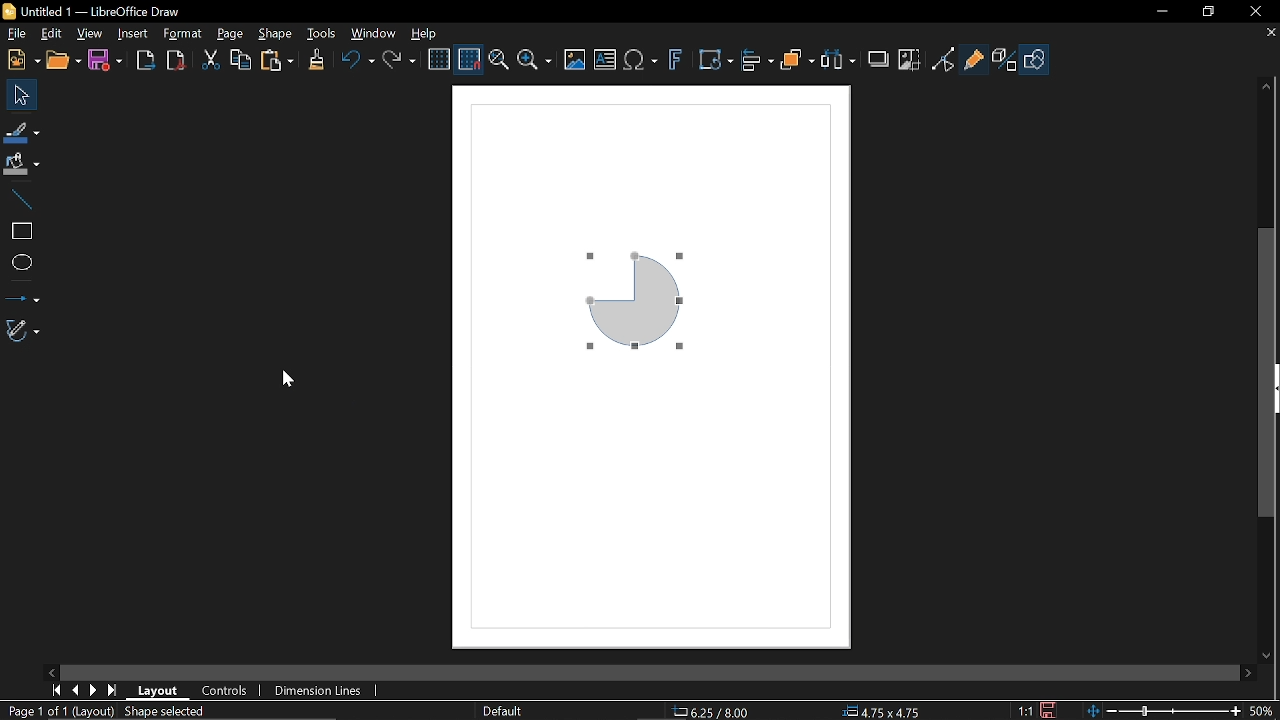 Image resolution: width=1280 pixels, height=720 pixels. Describe the element at coordinates (172, 712) in the screenshot. I see `Shape selected` at that location.